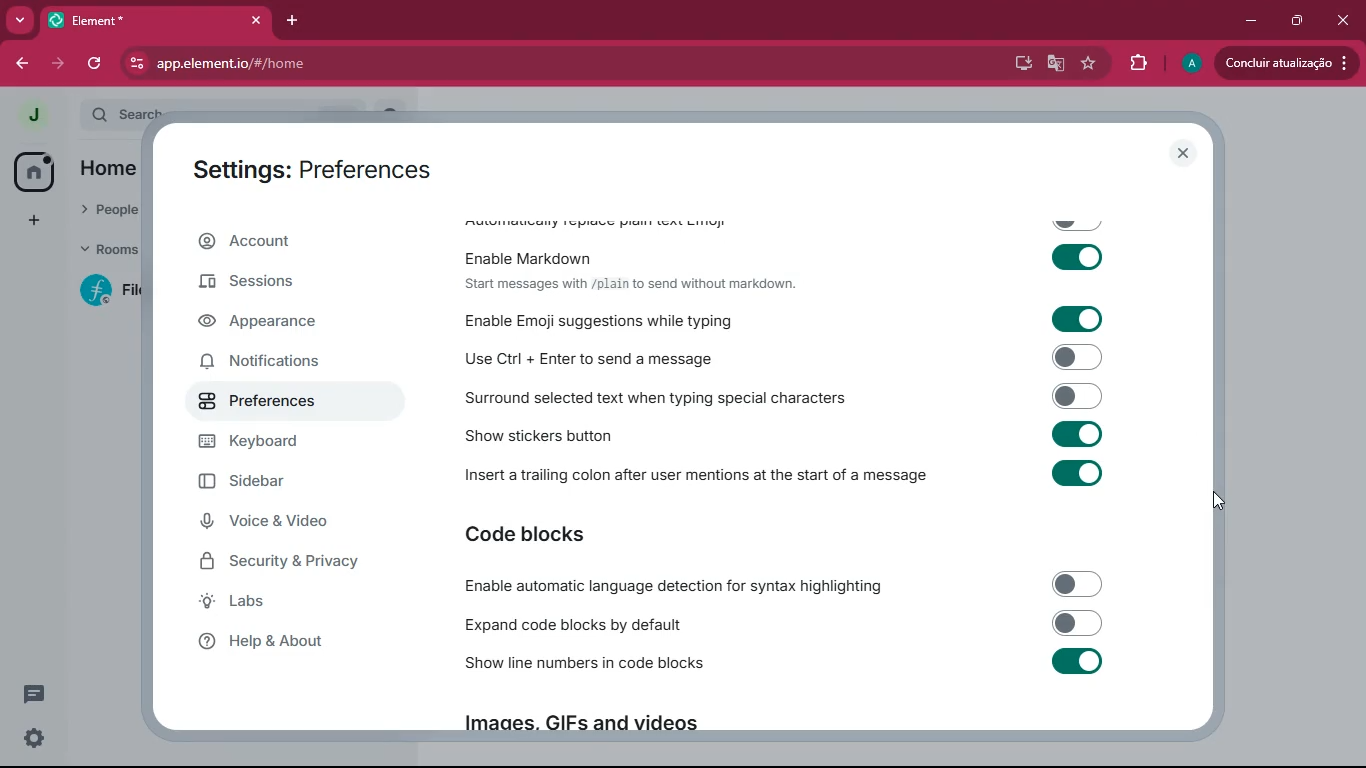 This screenshot has height=768, width=1366. Describe the element at coordinates (27, 114) in the screenshot. I see `profile picture` at that location.